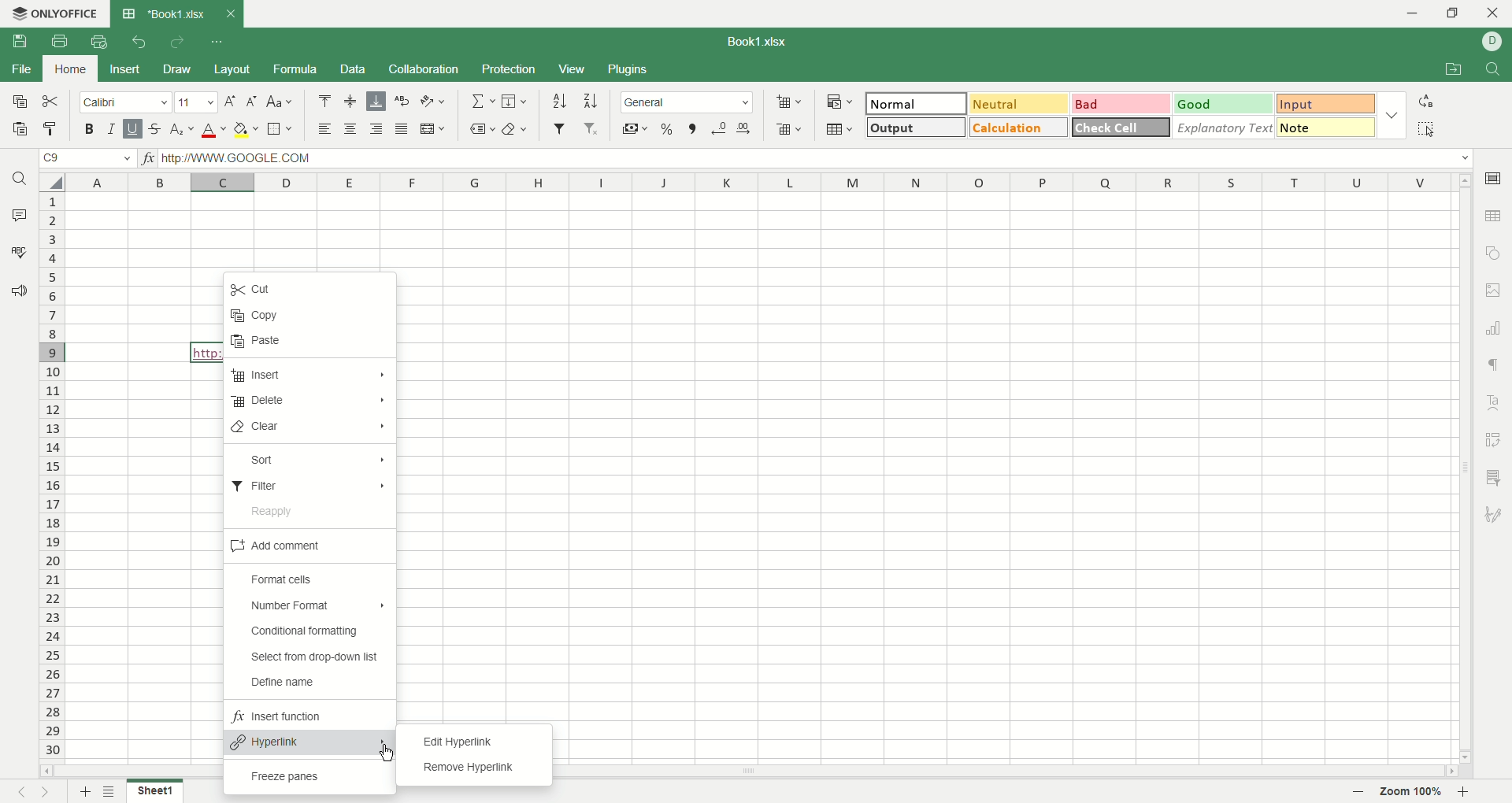 Image resolution: width=1512 pixels, height=803 pixels. I want to click on align center, so click(350, 129).